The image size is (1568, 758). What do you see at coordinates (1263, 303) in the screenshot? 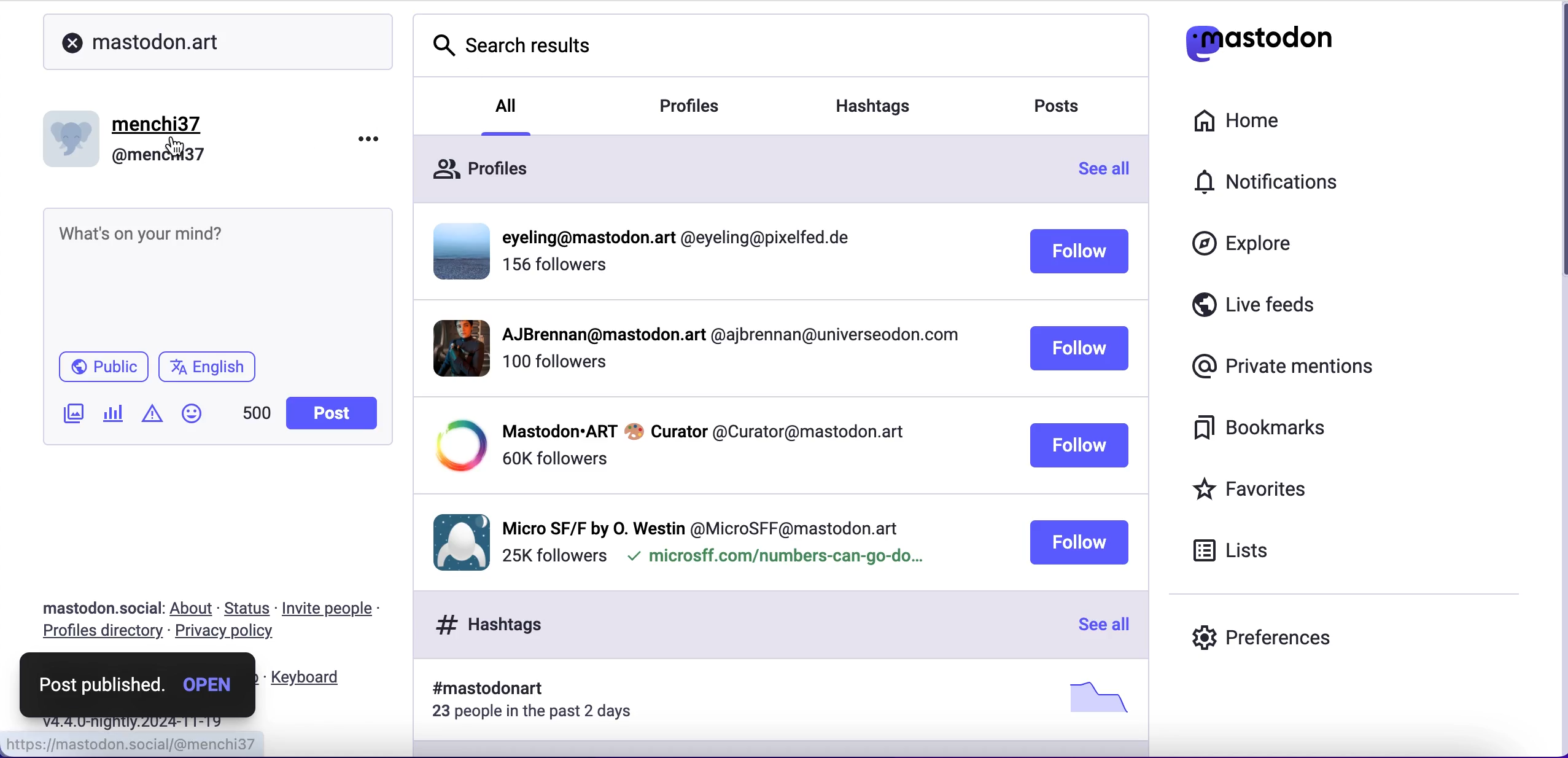
I see `live feeds` at bounding box center [1263, 303].